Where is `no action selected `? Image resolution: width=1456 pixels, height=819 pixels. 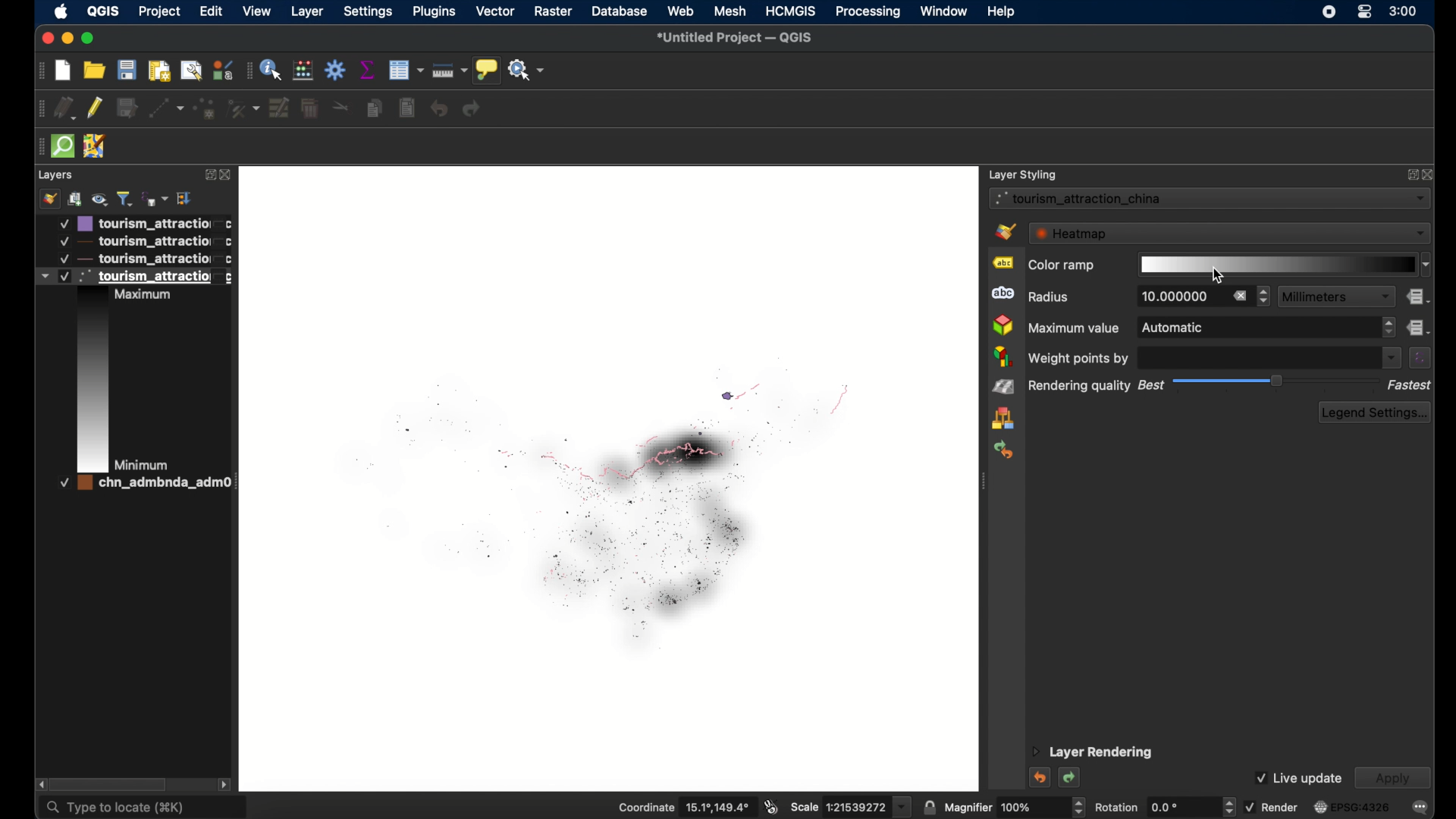 no action selected  is located at coordinates (528, 70).